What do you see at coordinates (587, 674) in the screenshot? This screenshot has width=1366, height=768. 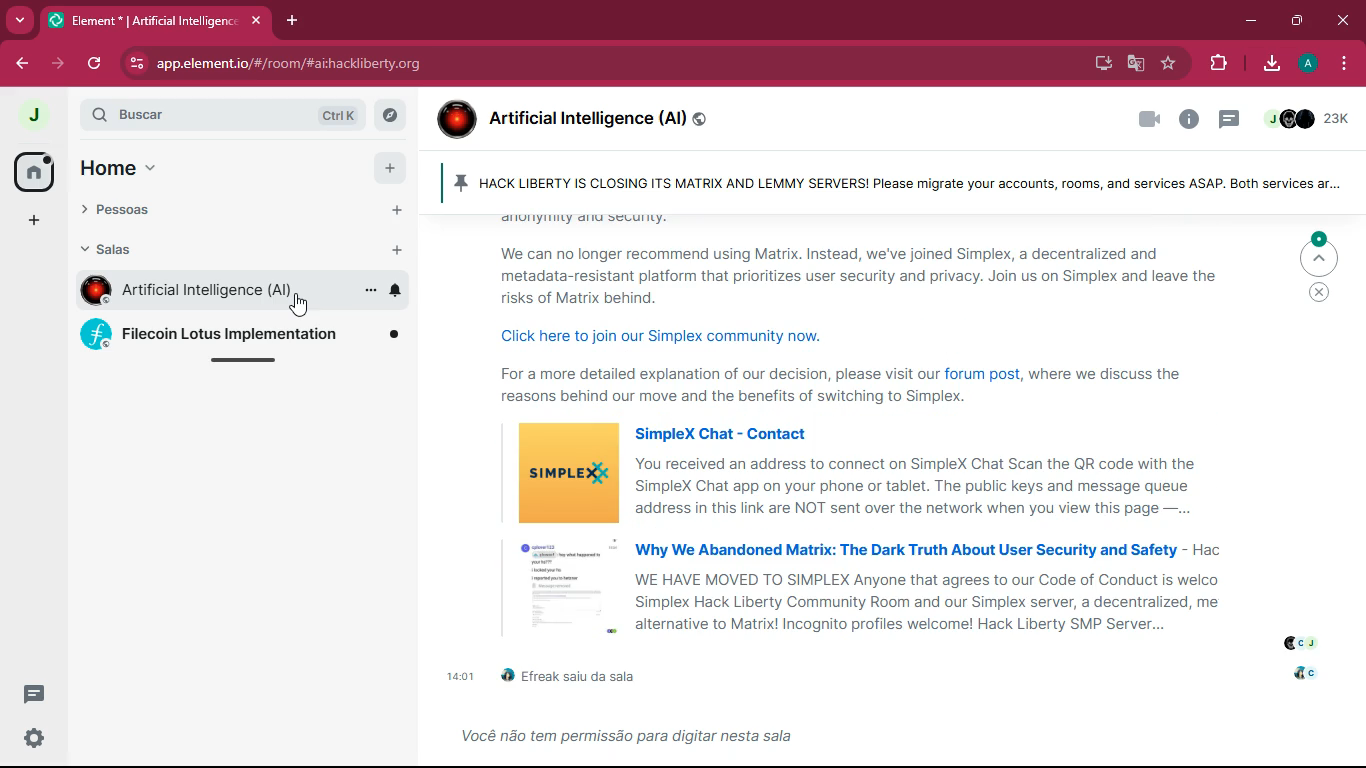 I see `efreak saiu da sala` at bounding box center [587, 674].